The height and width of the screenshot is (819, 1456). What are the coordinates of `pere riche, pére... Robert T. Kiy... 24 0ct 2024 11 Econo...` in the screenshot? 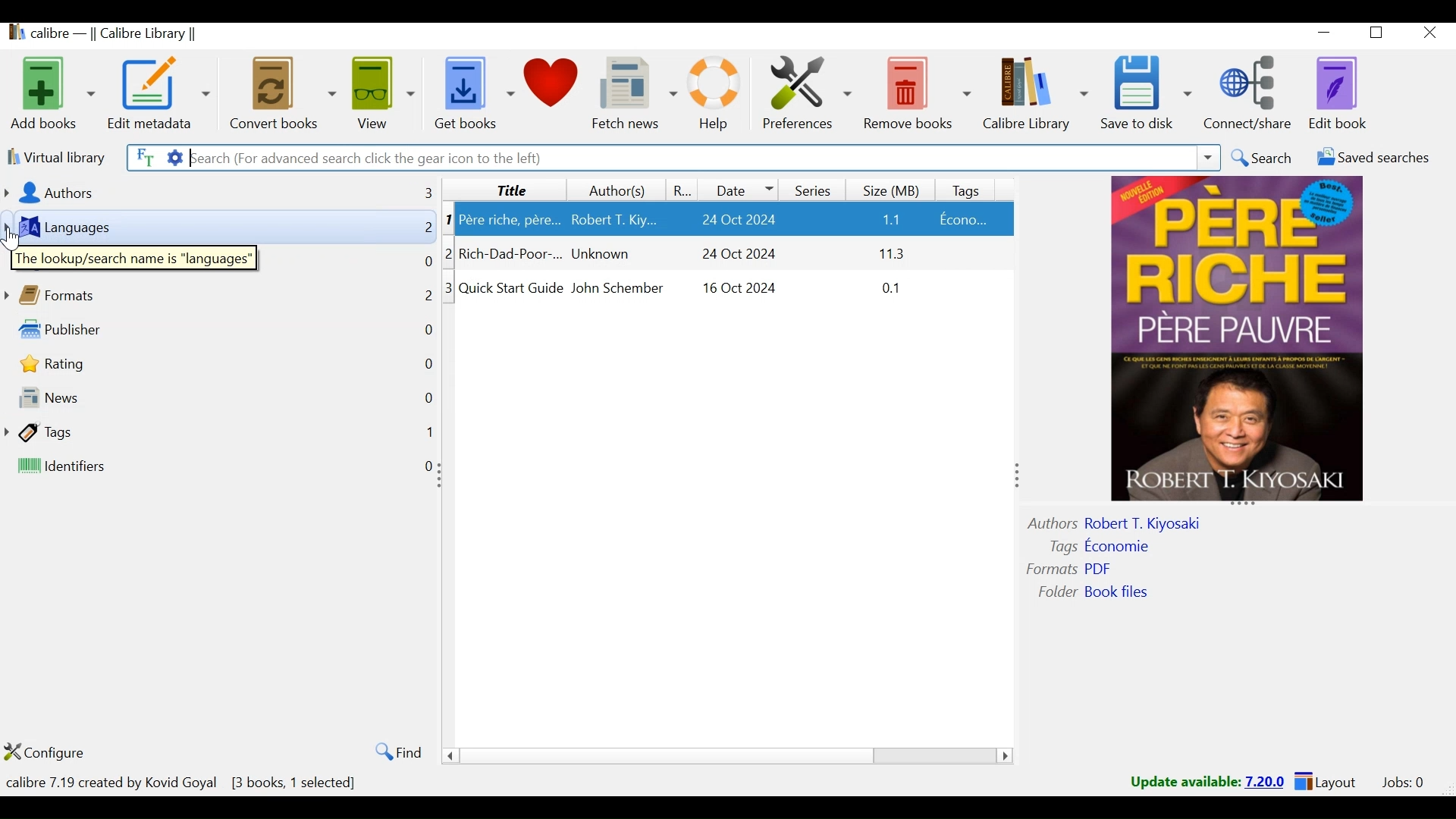 It's located at (735, 219).